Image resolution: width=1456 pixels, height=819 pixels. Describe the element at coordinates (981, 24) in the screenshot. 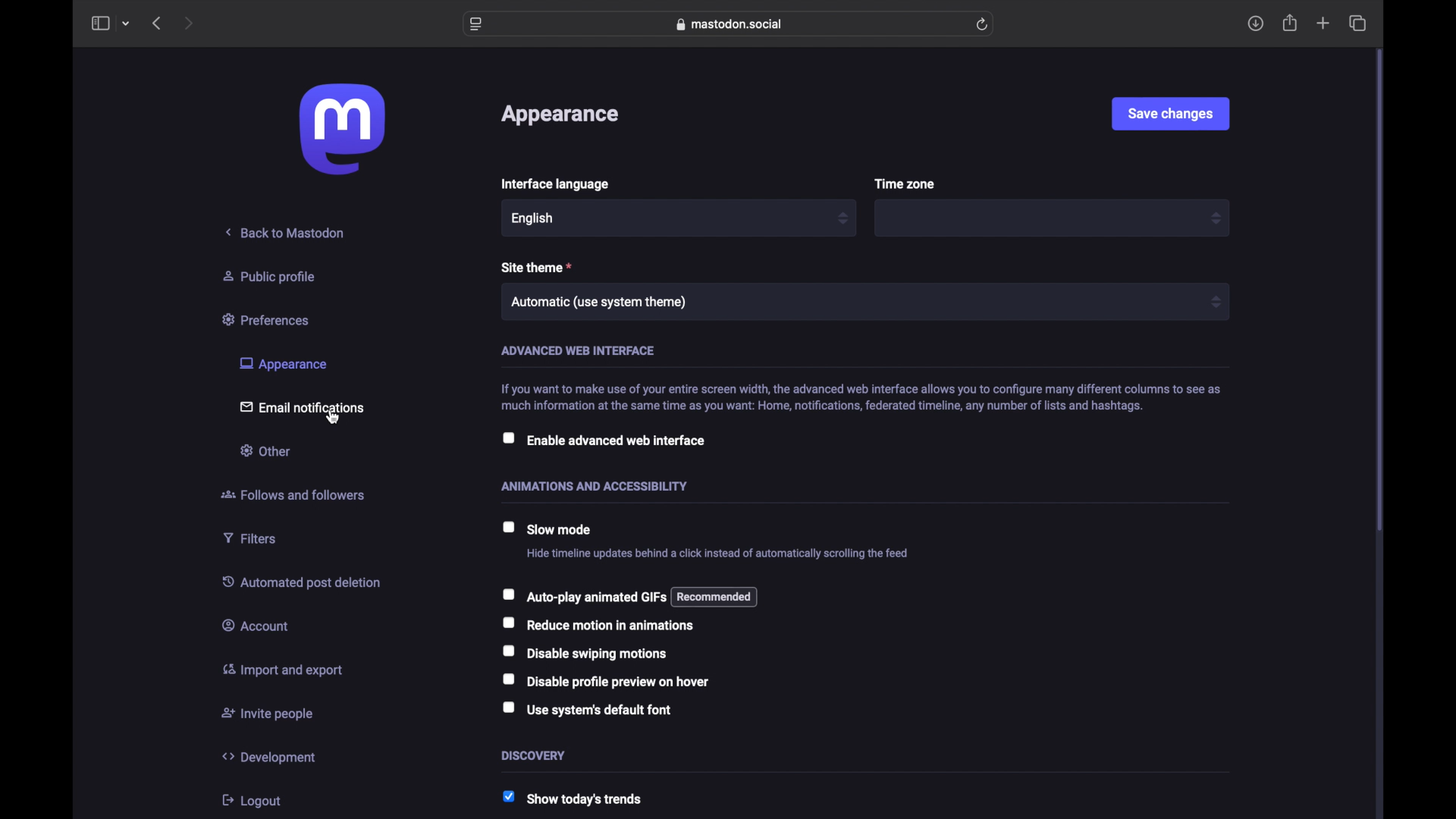

I see `refresh` at that location.